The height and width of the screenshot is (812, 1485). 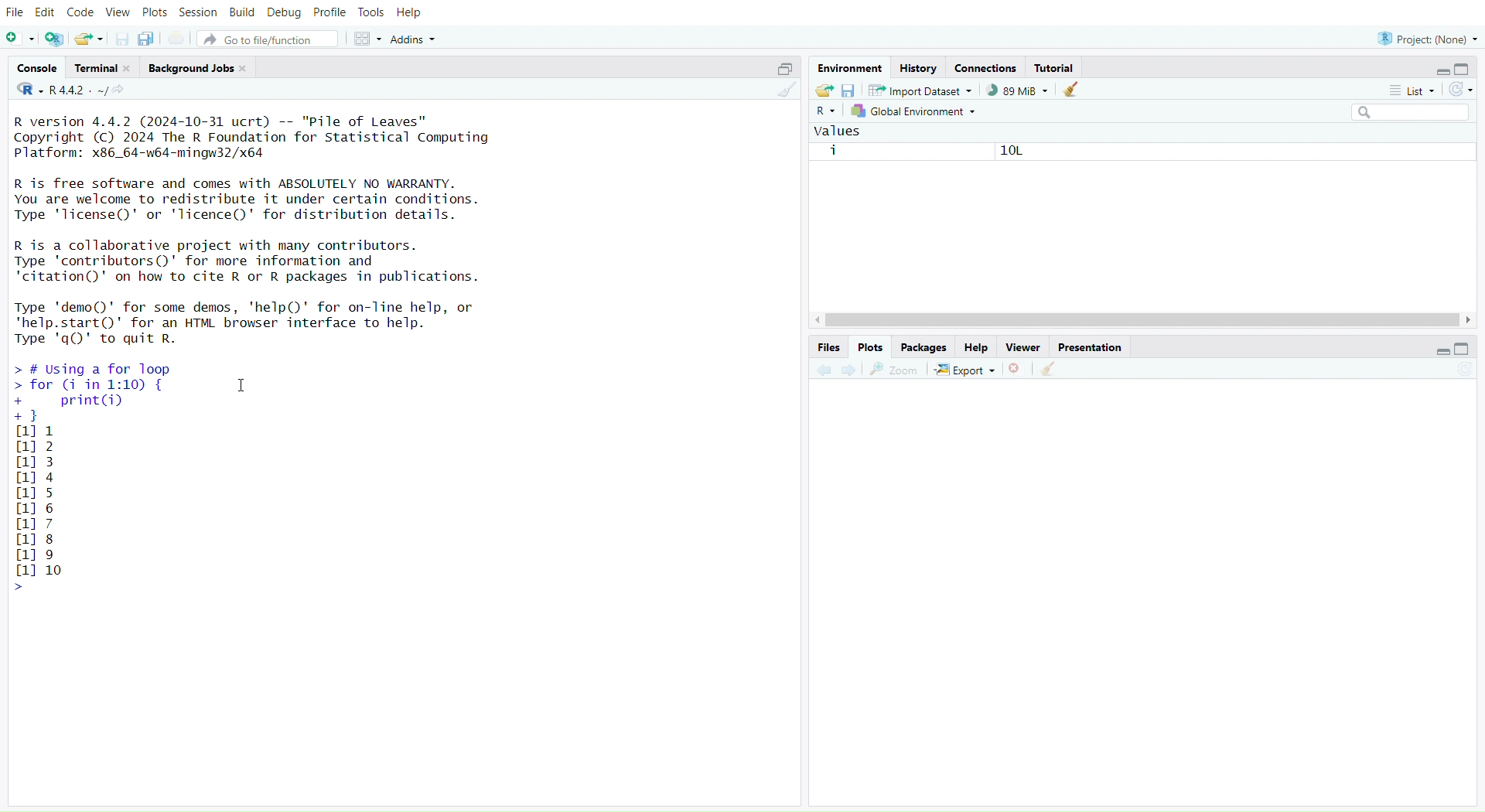 I want to click on global environment, so click(x=916, y=112).